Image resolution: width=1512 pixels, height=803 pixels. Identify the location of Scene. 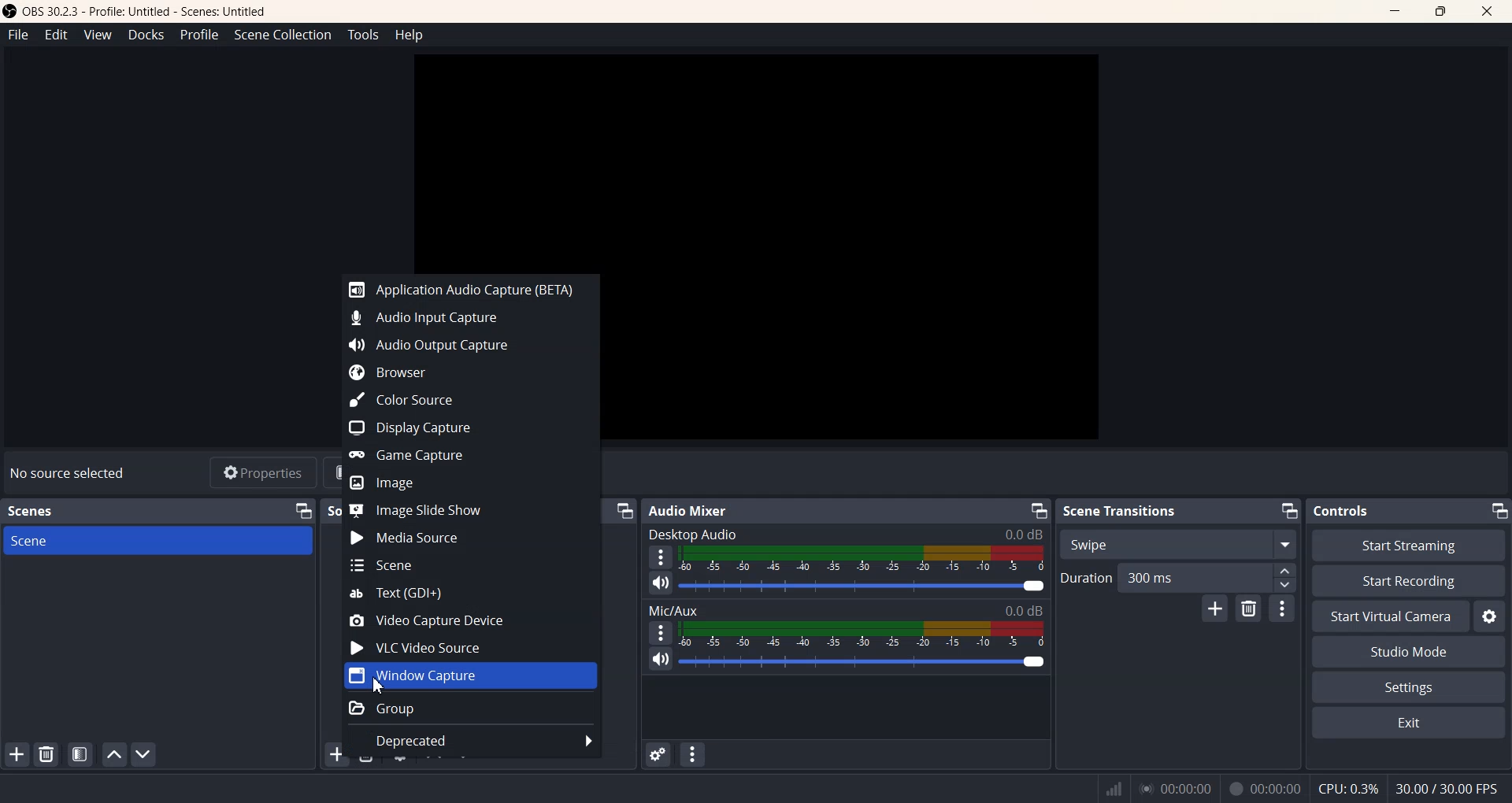
(468, 564).